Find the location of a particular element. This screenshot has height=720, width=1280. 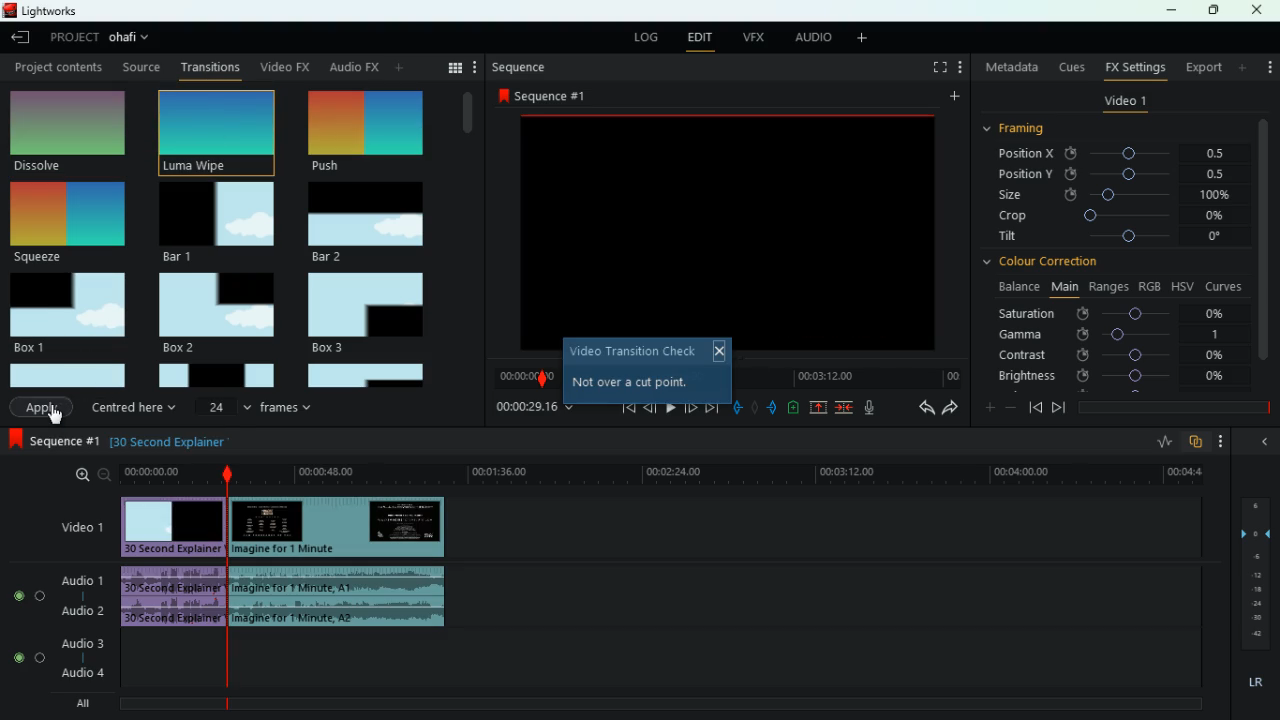

audio 4 is located at coordinates (82, 674).